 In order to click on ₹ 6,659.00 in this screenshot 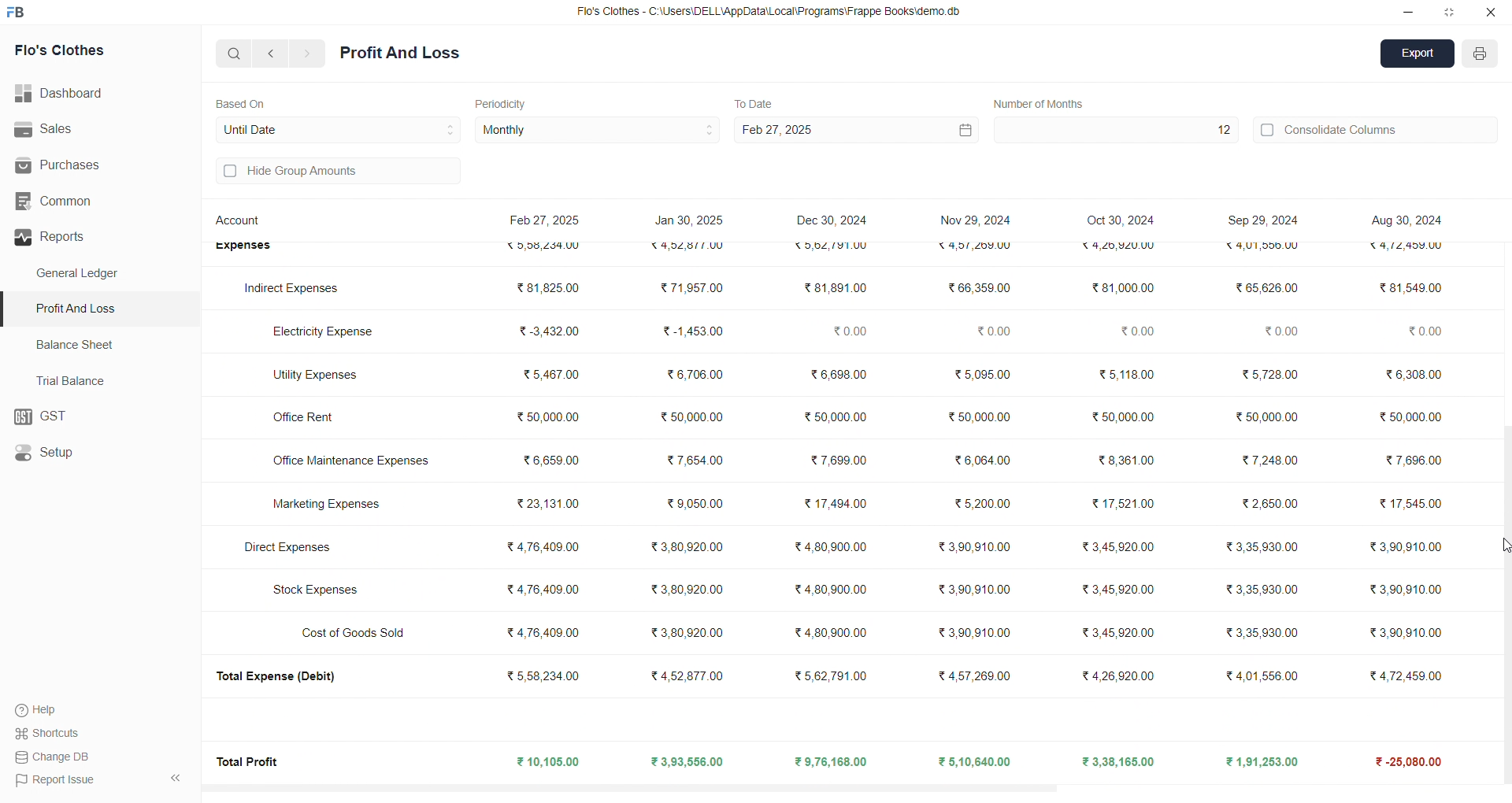, I will do `click(549, 458)`.